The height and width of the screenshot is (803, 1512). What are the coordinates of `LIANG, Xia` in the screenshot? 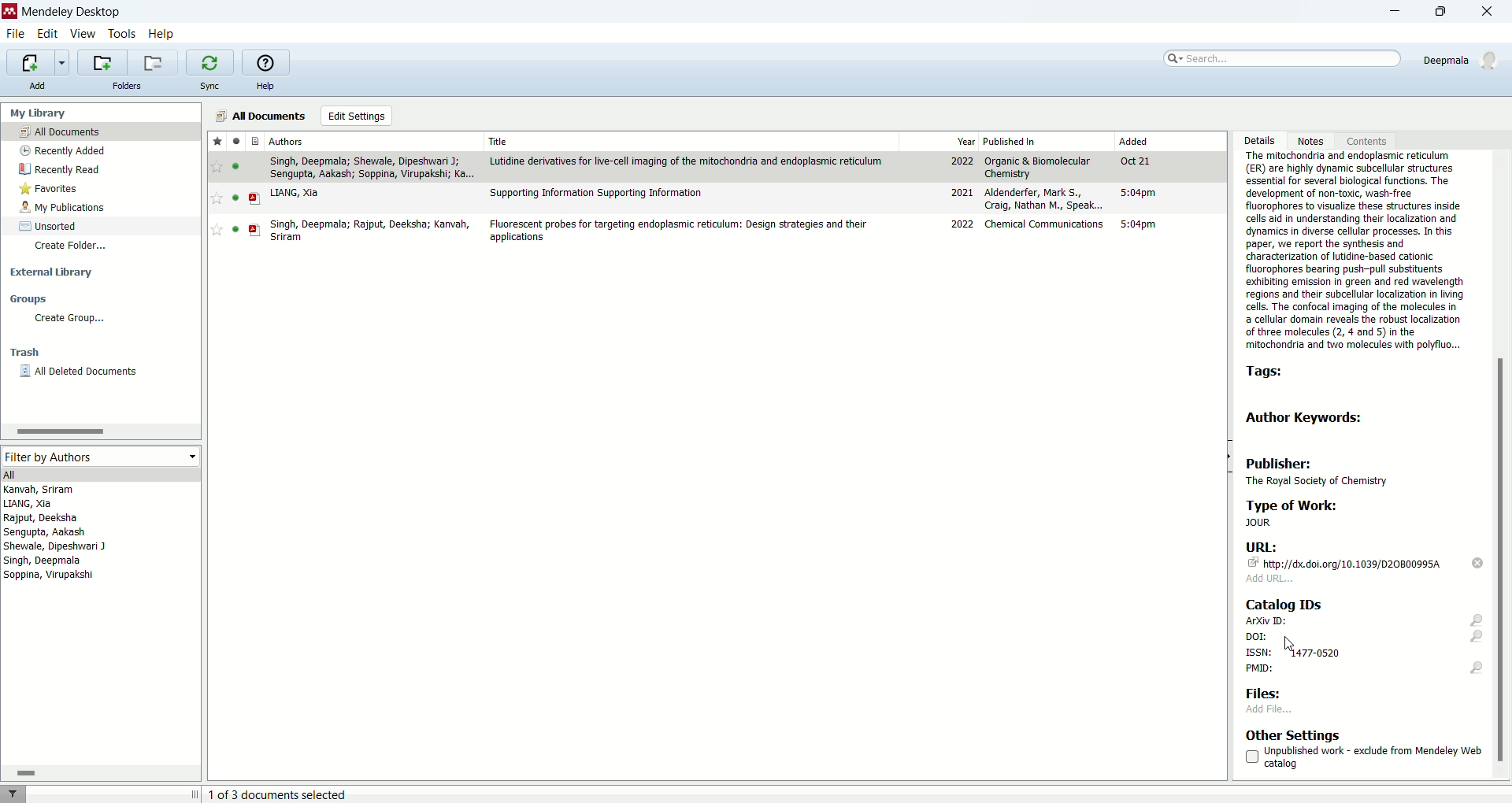 It's located at (295, 193).